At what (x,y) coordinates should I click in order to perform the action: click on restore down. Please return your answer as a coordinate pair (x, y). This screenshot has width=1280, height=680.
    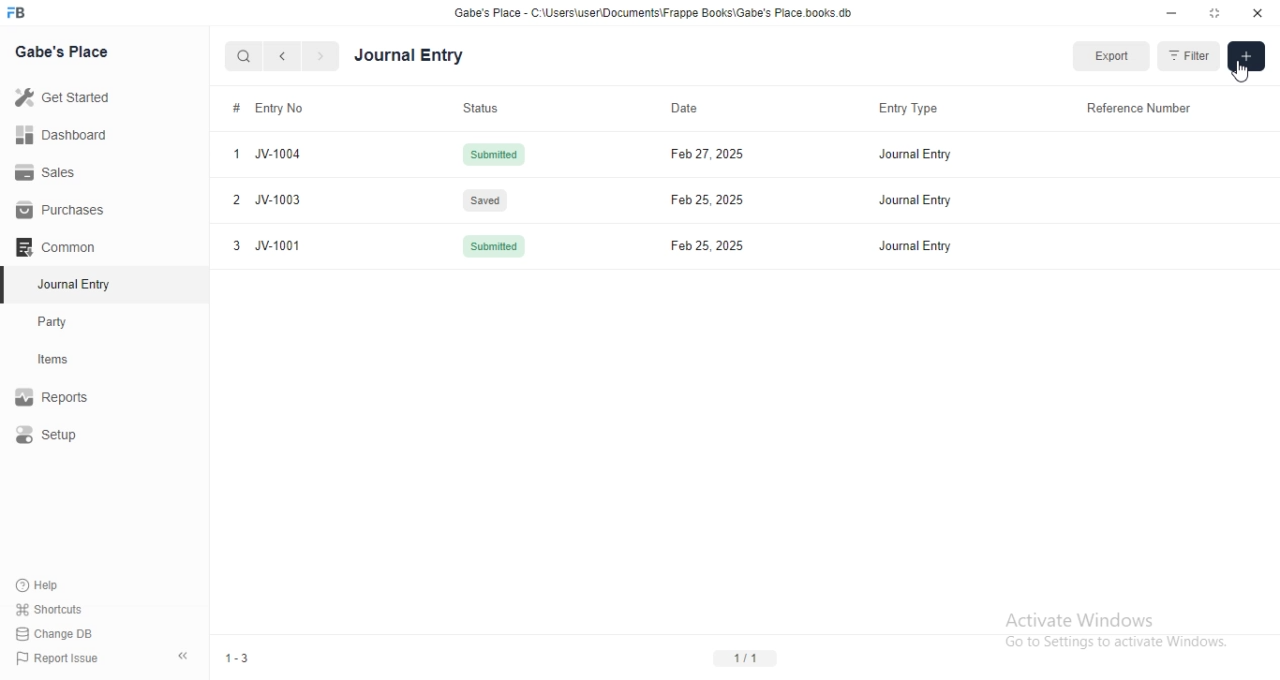
    Looking at the image, I should click on (1216, 15).